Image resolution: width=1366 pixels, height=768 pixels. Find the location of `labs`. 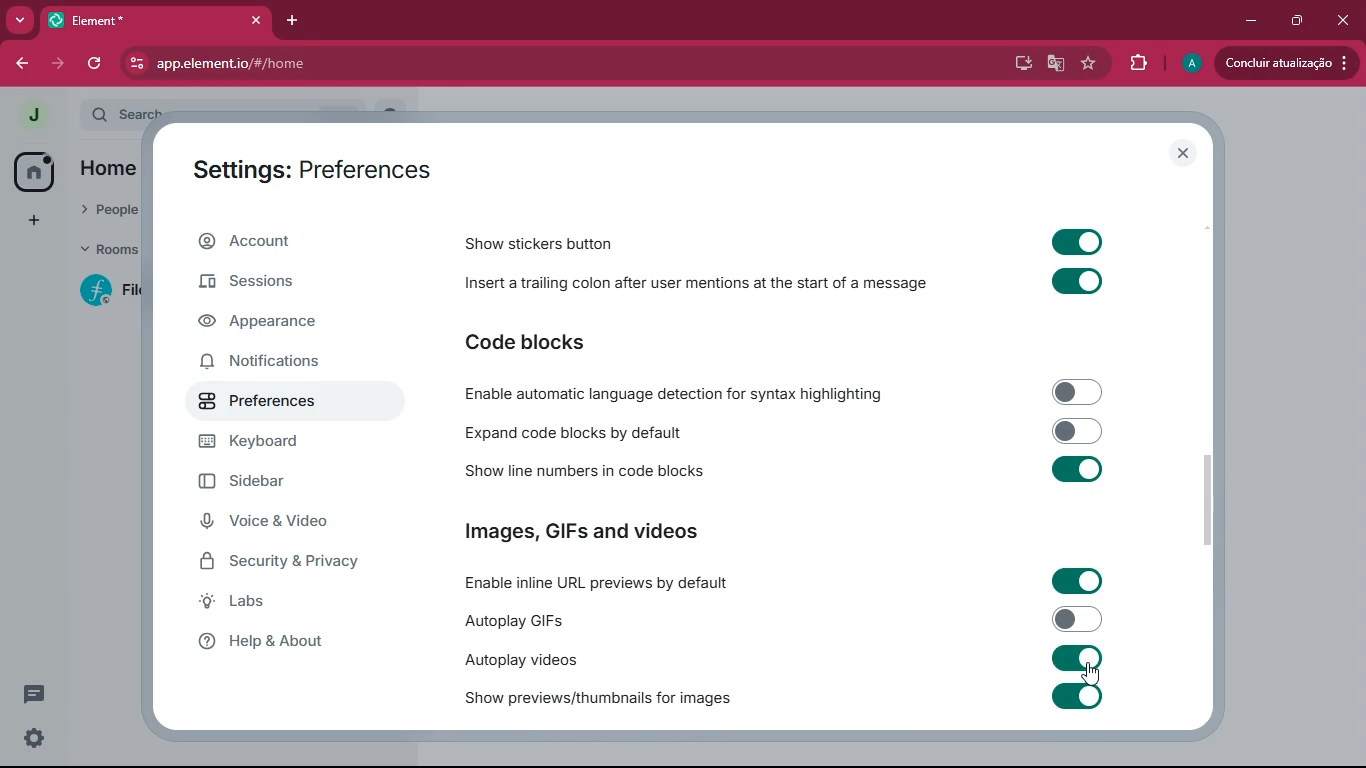

labs is located at coordinates (288, 606).